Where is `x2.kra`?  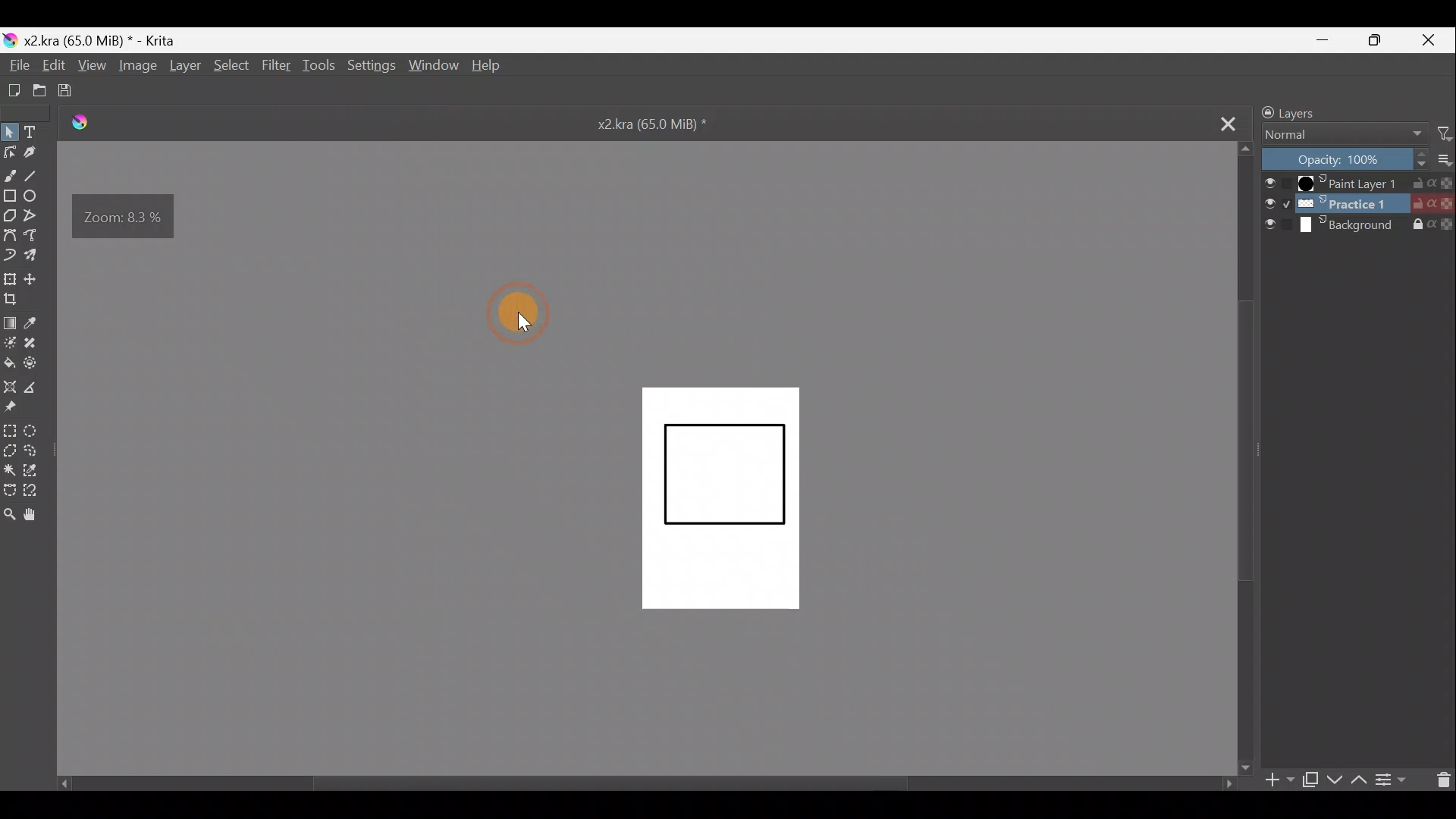 x2.kra is located at coordinates (92, 40).